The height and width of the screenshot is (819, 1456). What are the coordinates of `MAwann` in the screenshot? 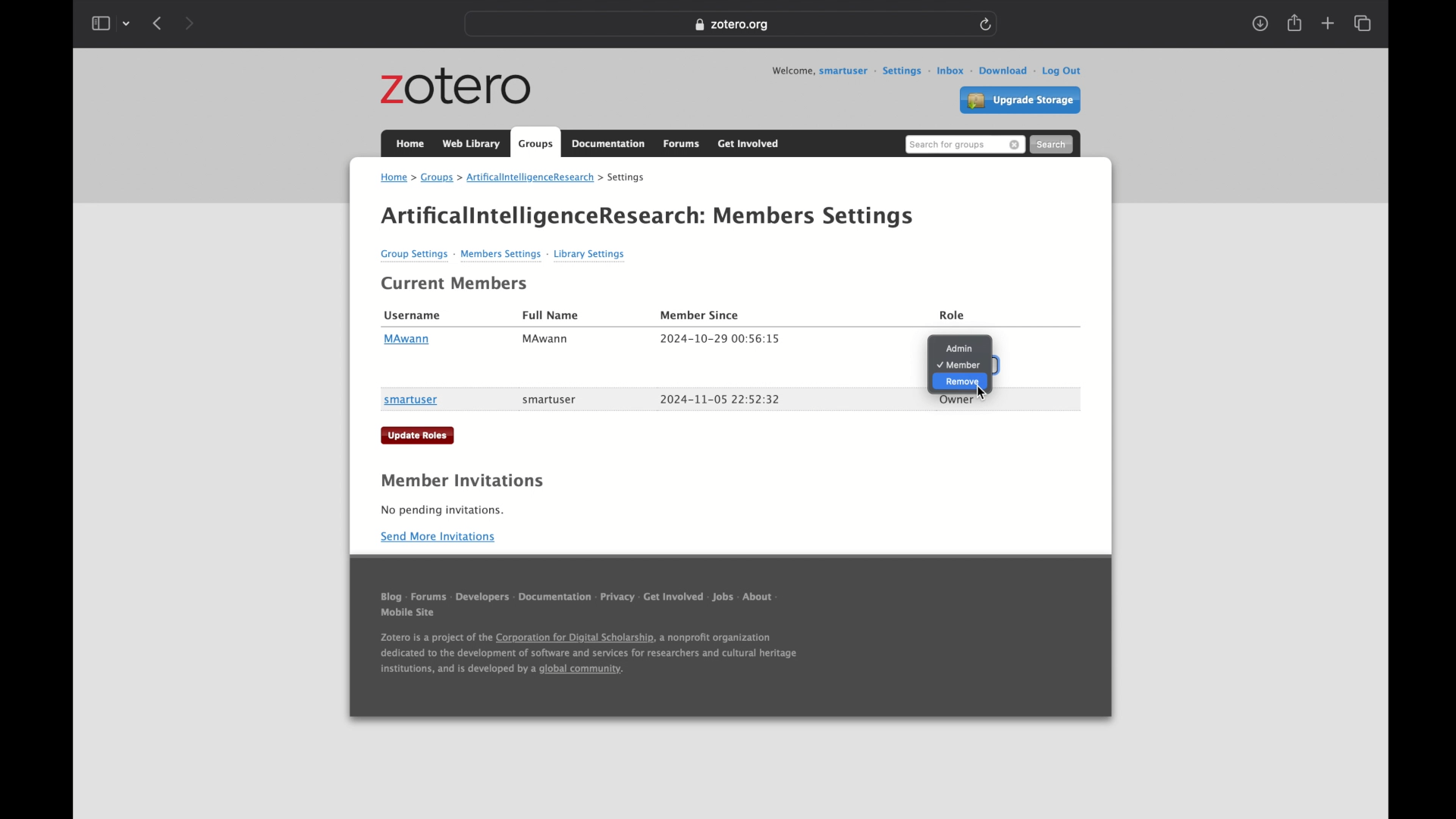 It's located at (406, 340).